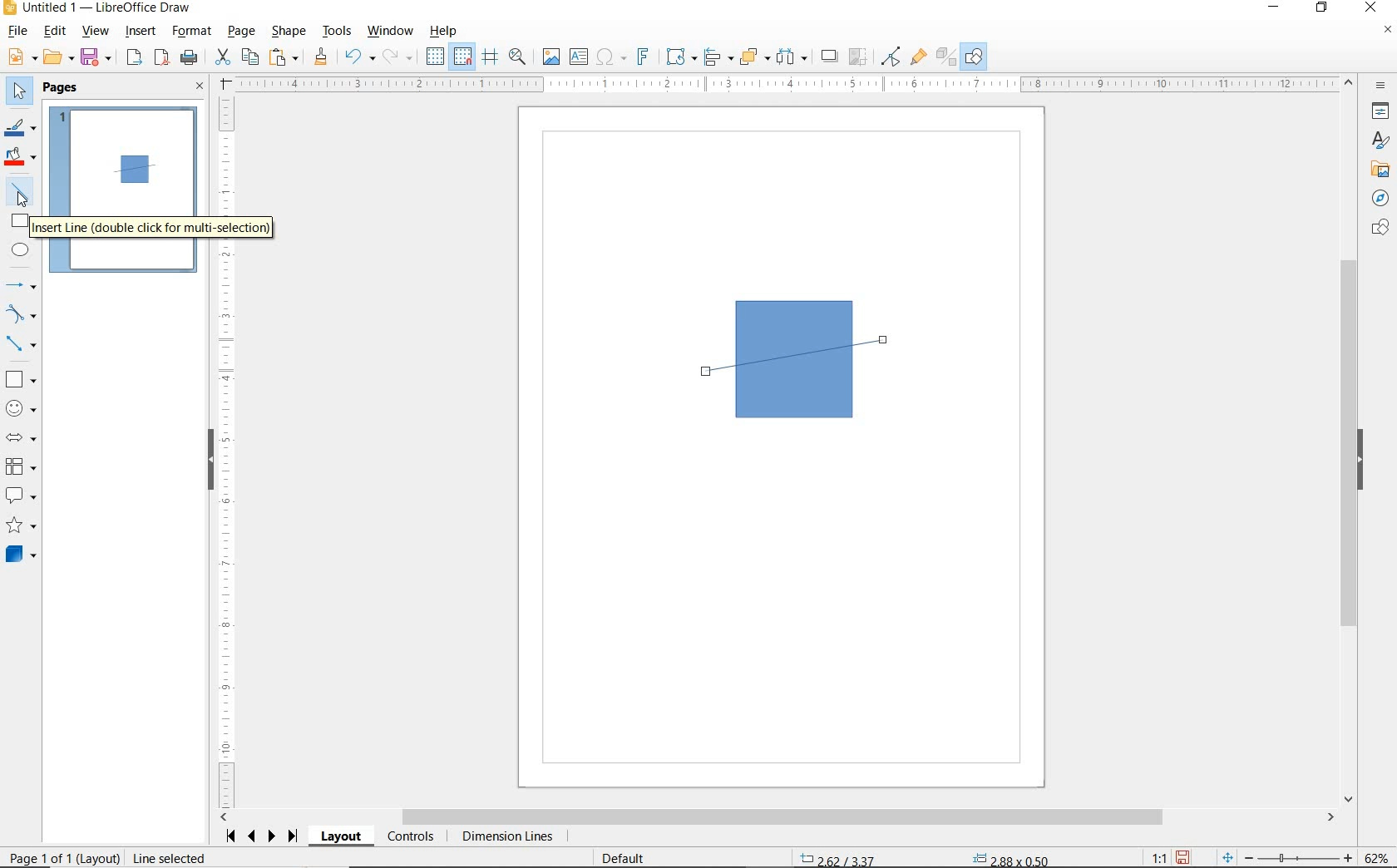  Describe the element at coordinates (135, 169) in the screenshot. I see `LINE ADDED` at that location.